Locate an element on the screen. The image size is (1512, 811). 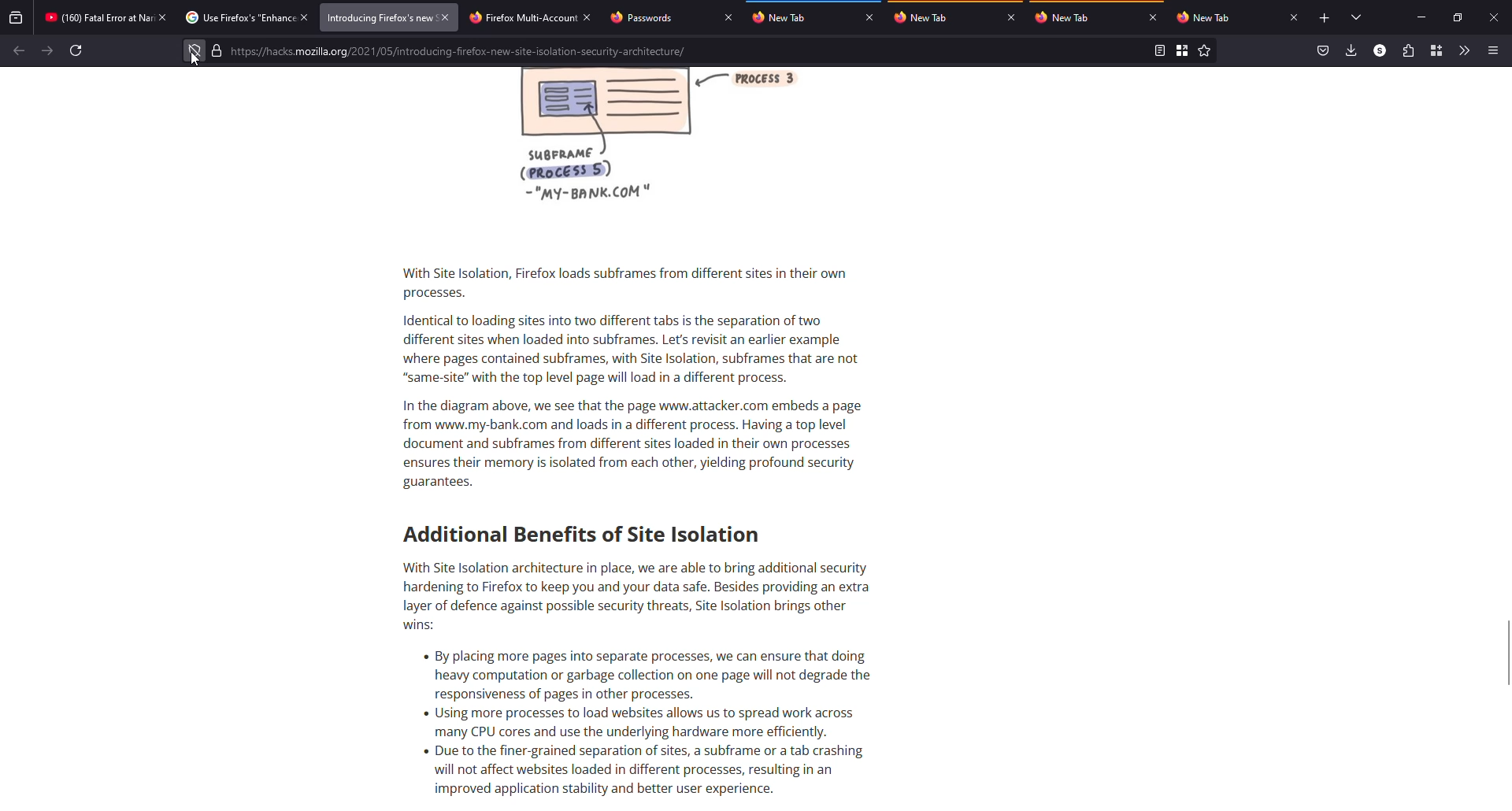
maximize is located at coordinates (1458, 17).